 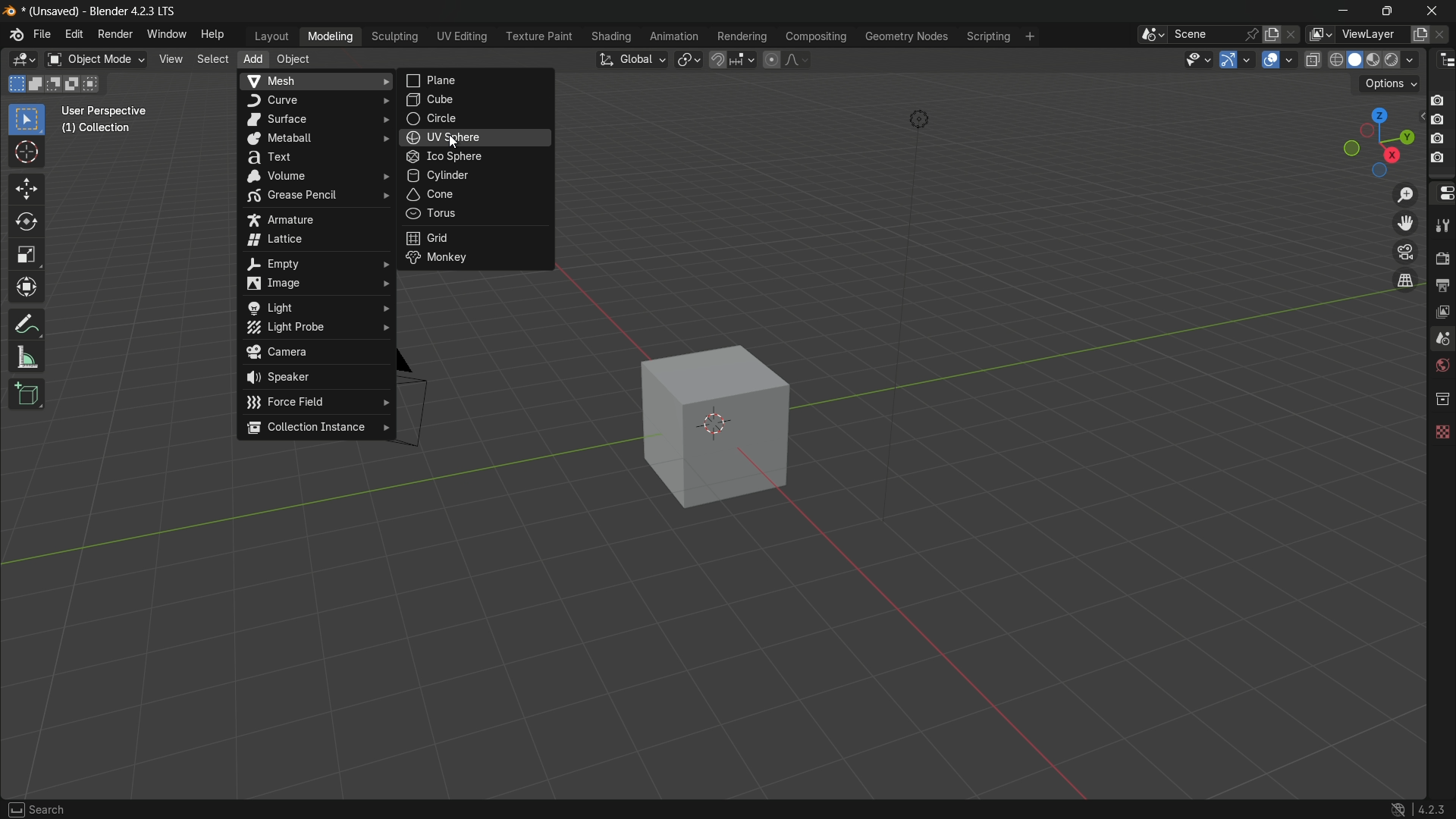 I want to click on search, so click(x=37, y=809).